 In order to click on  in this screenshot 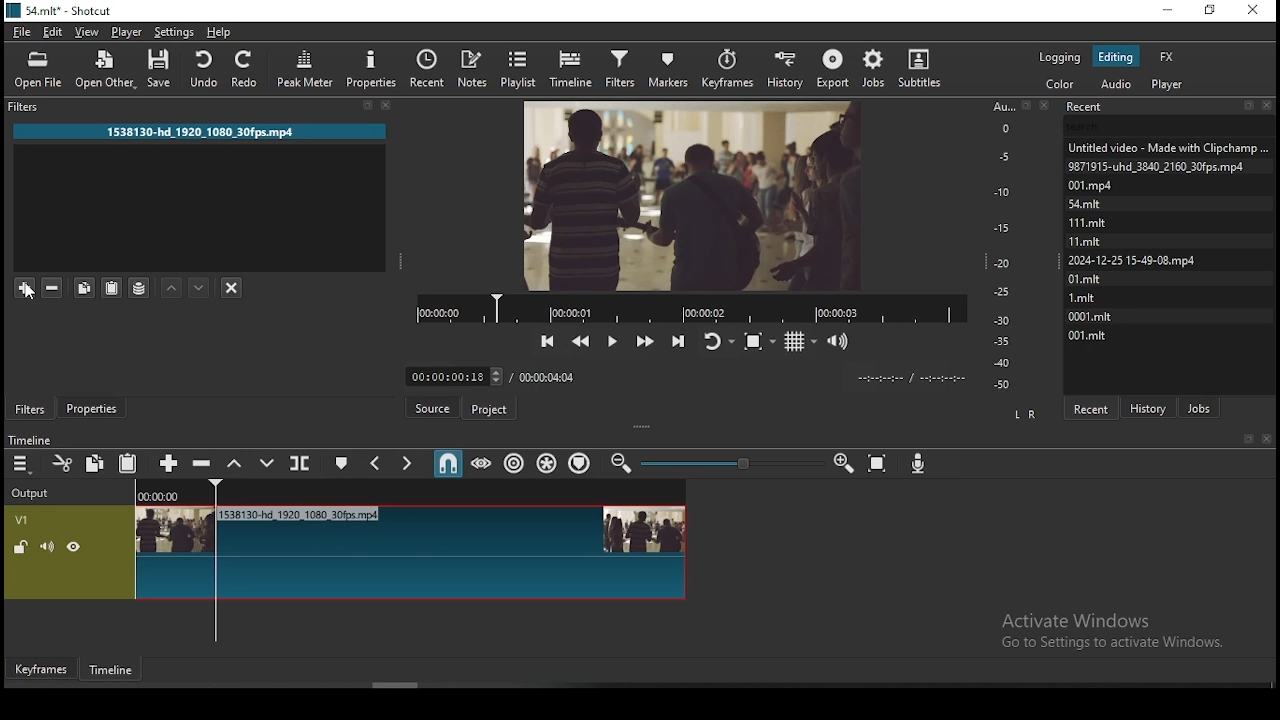, I will do `click(435, 407)`.